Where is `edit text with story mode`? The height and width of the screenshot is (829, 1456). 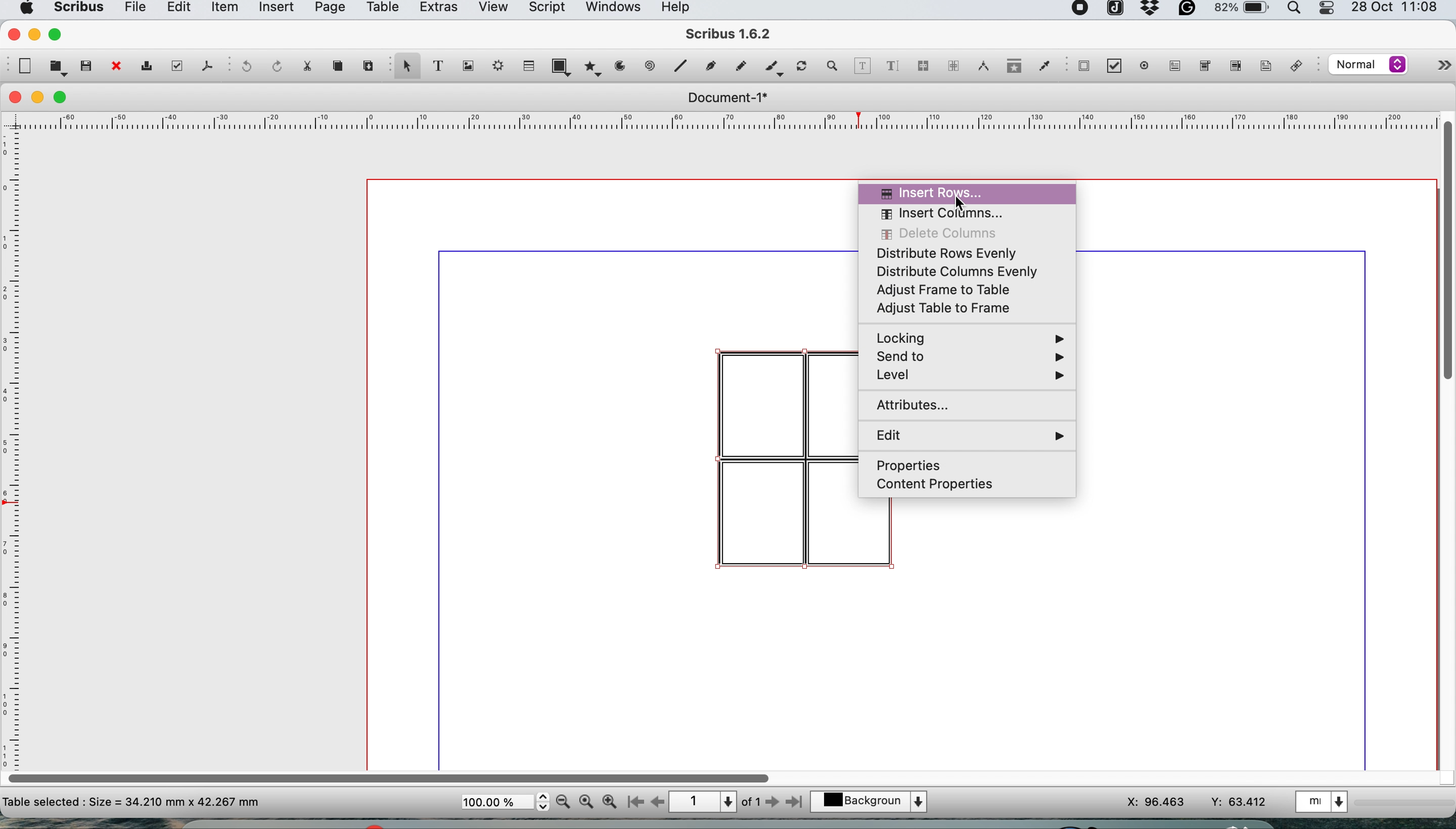
edit text with story mode is located at coordinates (892, 67).